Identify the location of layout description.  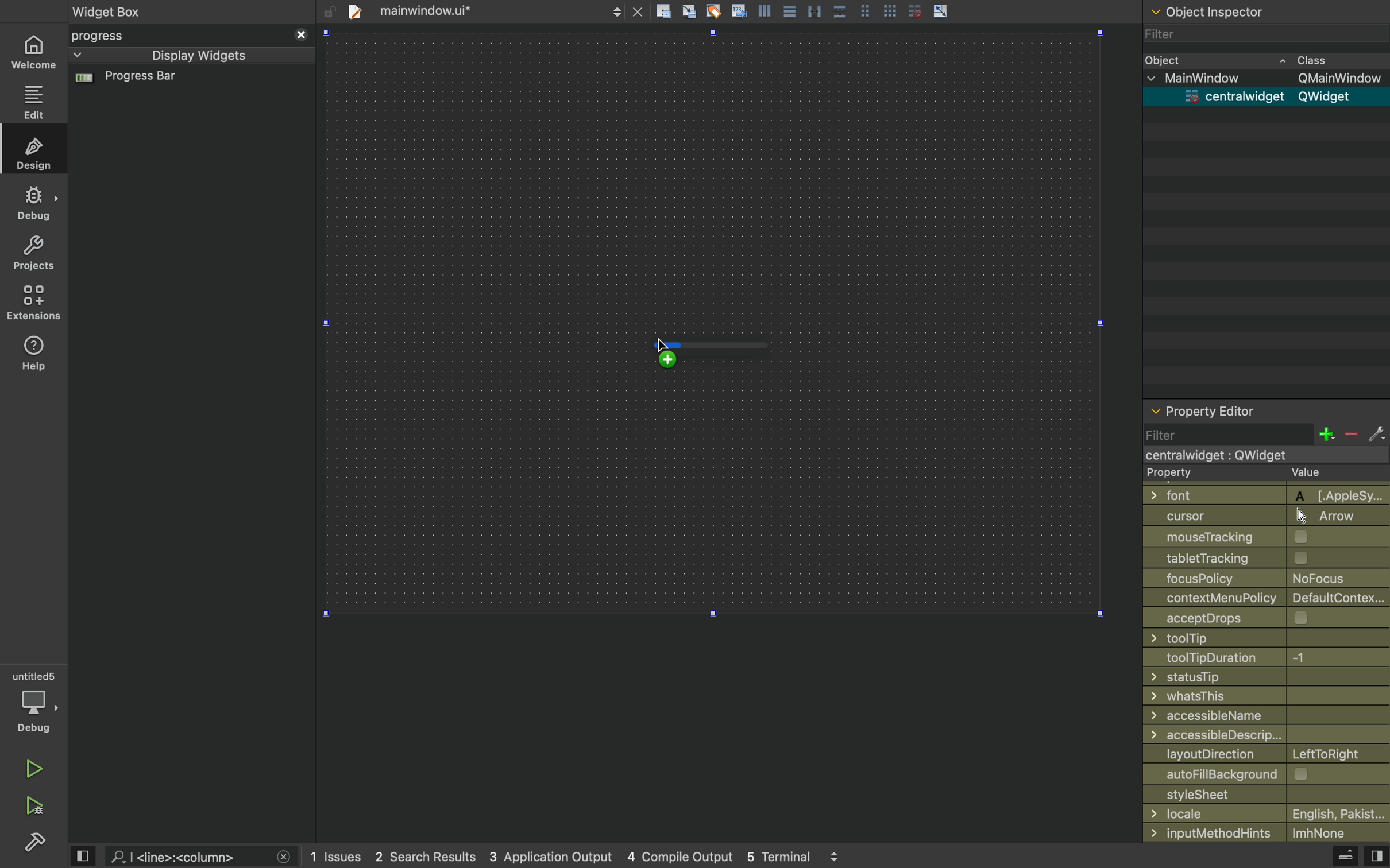
(1263, 754).